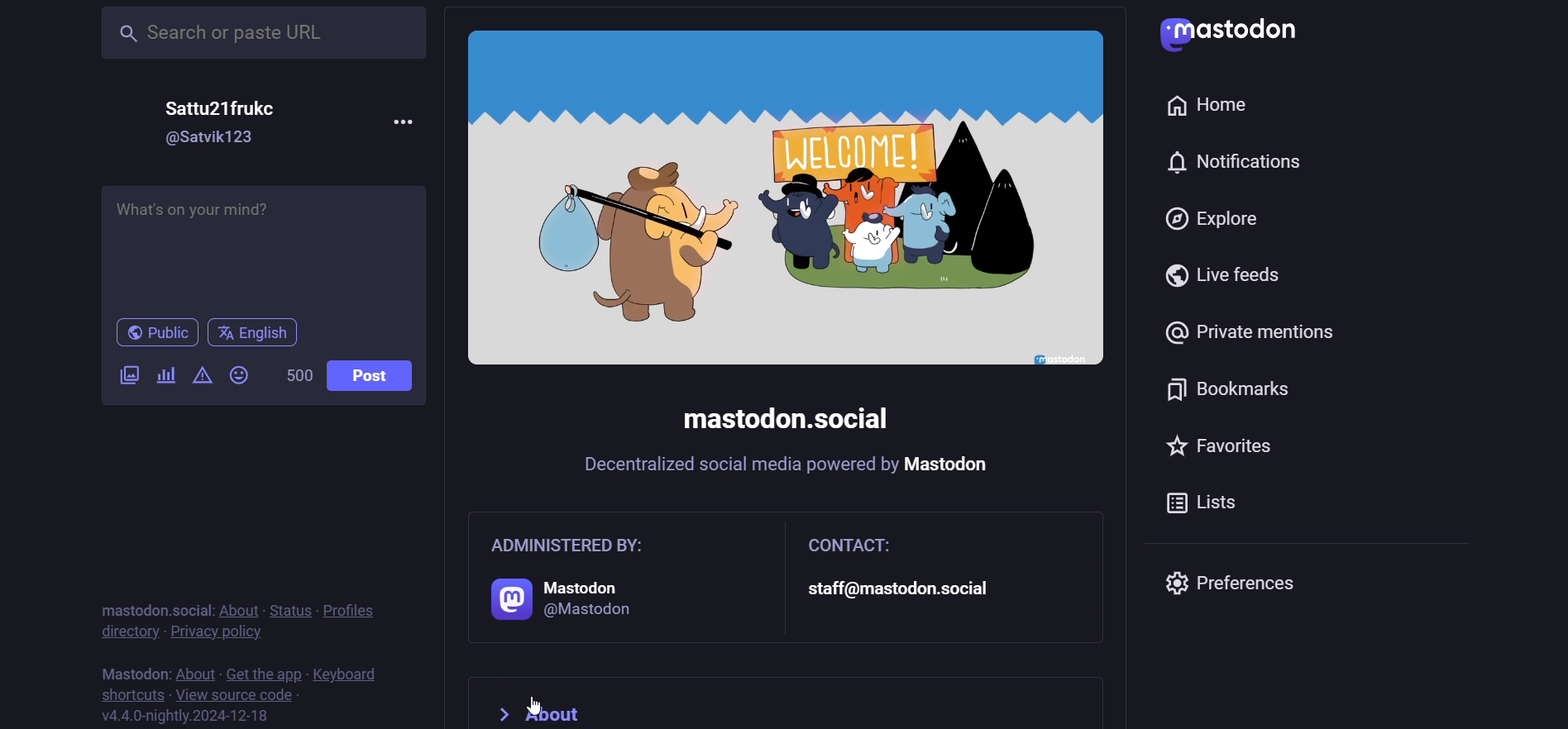  I want to click on home, so click(1208, 101).